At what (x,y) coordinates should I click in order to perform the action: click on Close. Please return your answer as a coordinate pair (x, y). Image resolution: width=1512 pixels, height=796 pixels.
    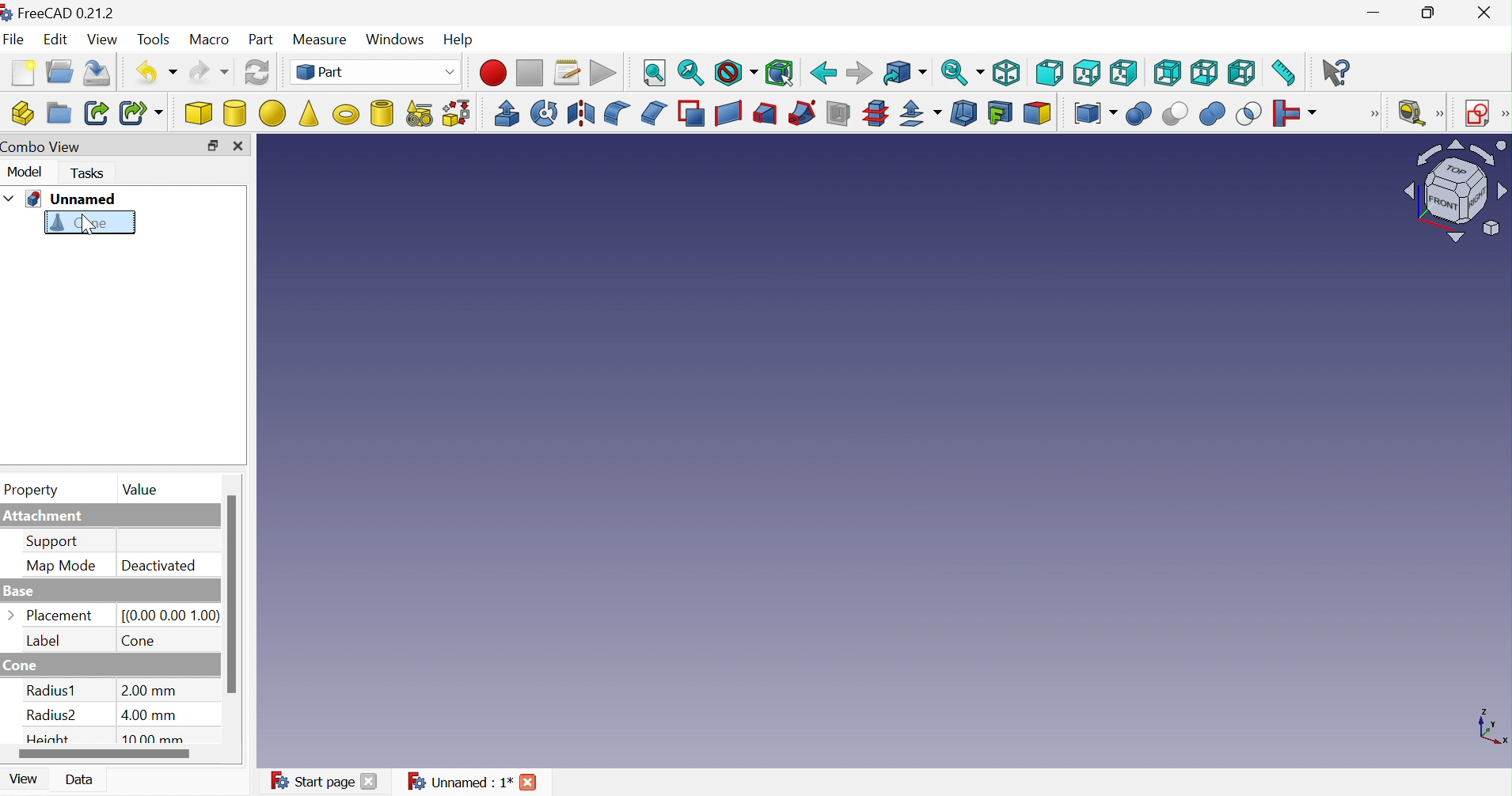
    Looking at the image, I should click on (368, 783).